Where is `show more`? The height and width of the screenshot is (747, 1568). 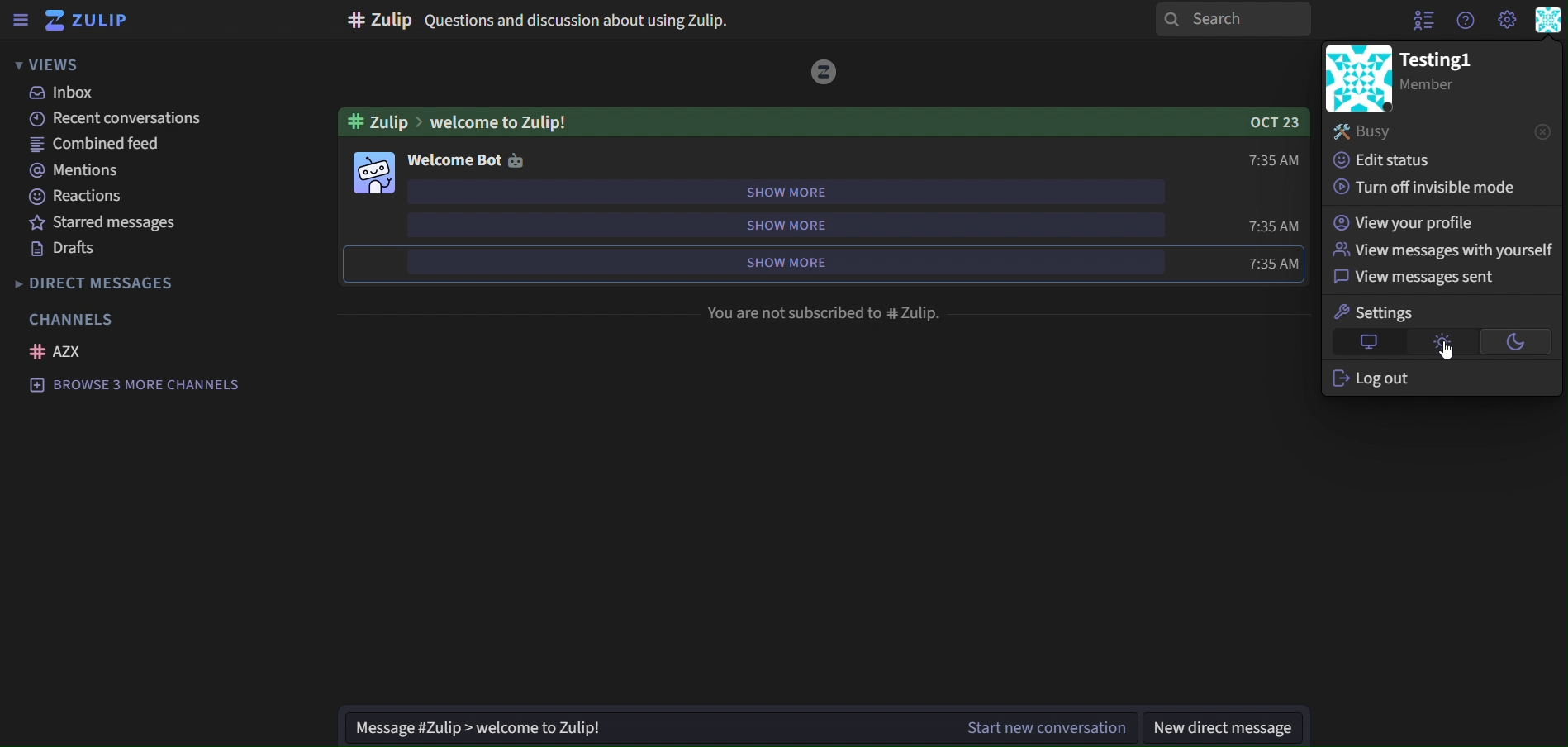 show more is located at coordinates (791, 193).